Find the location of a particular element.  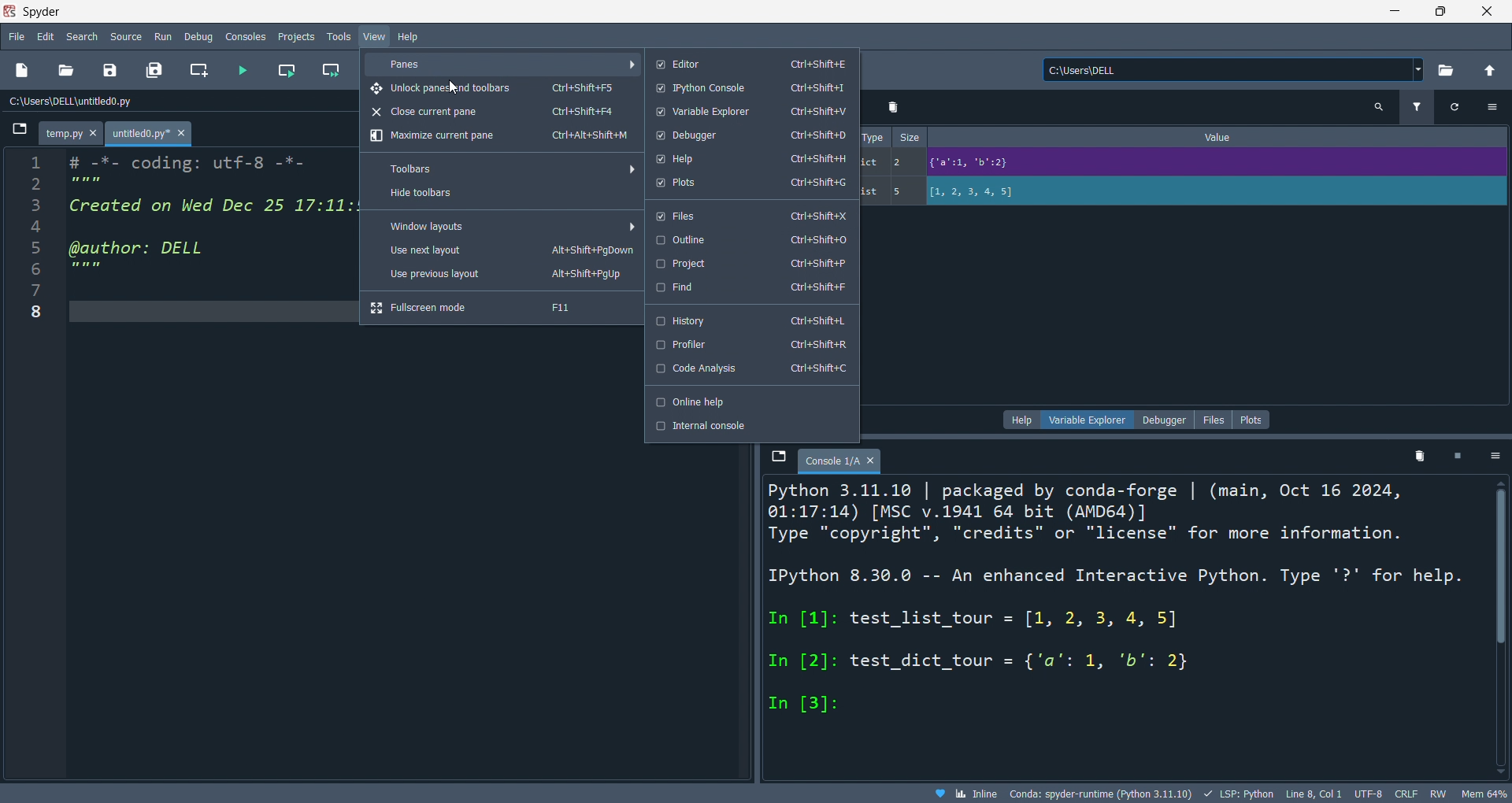

run file is located at coordinates (243, 71).